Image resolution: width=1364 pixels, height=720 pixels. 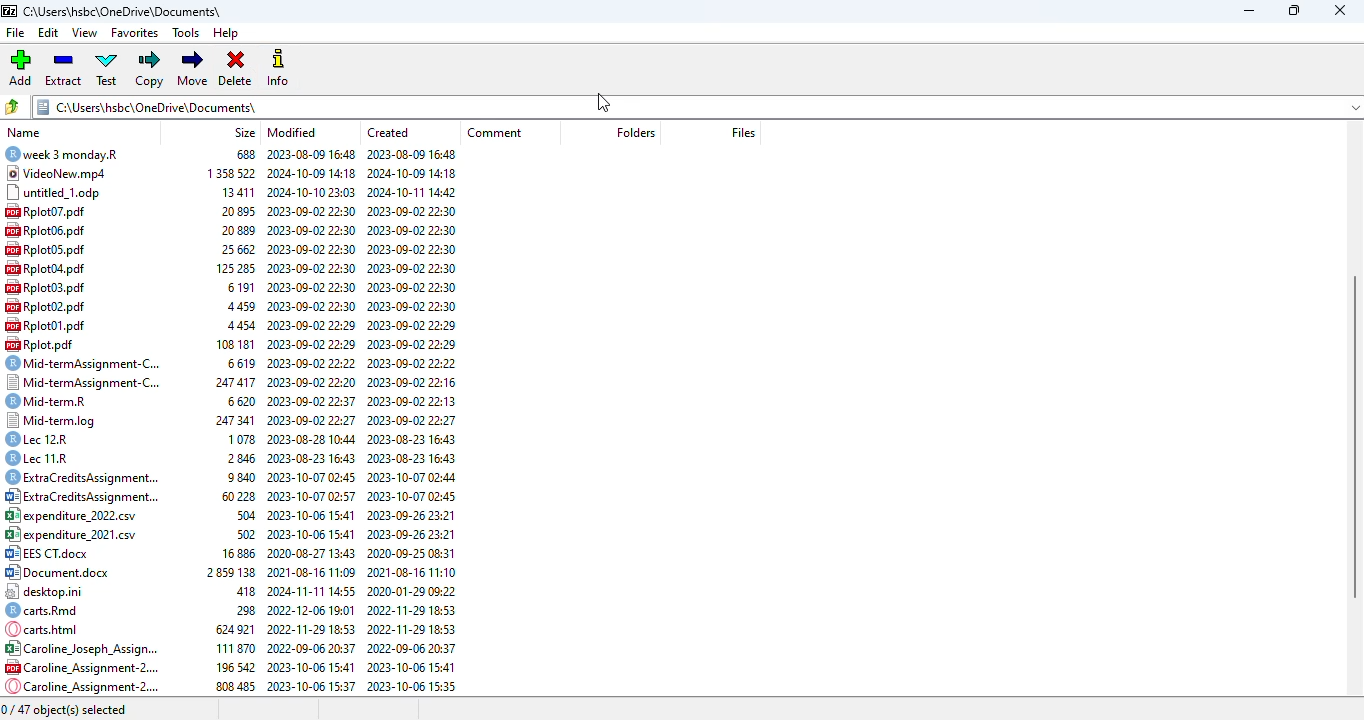 What do you see at coordinates (312, 461) in the screenshot?
I see `2023-08-23 16:43` at bounding box center [312, 461].